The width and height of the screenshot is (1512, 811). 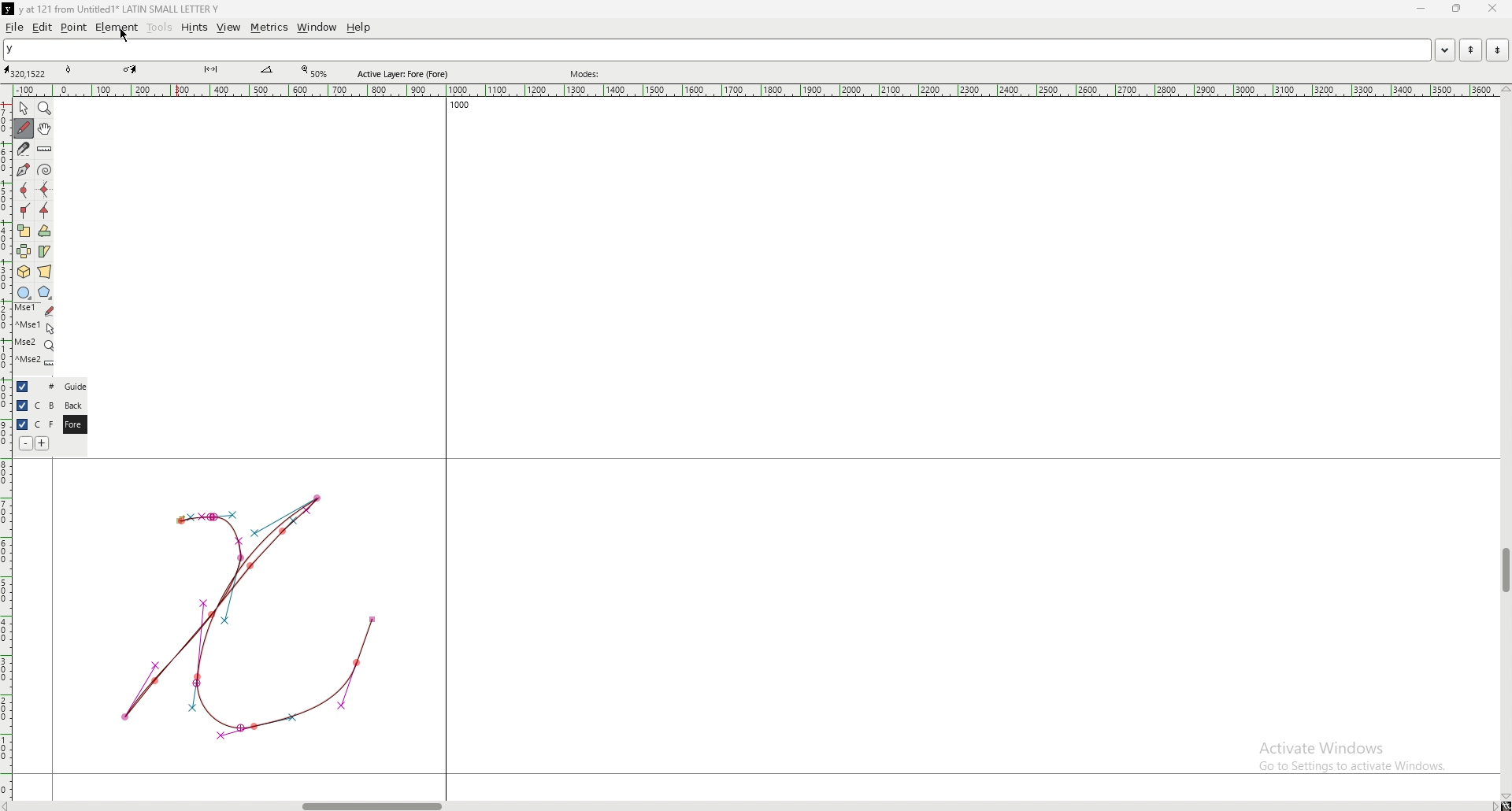 I want to click on cut a spline in two, so click(x=22, y=149).